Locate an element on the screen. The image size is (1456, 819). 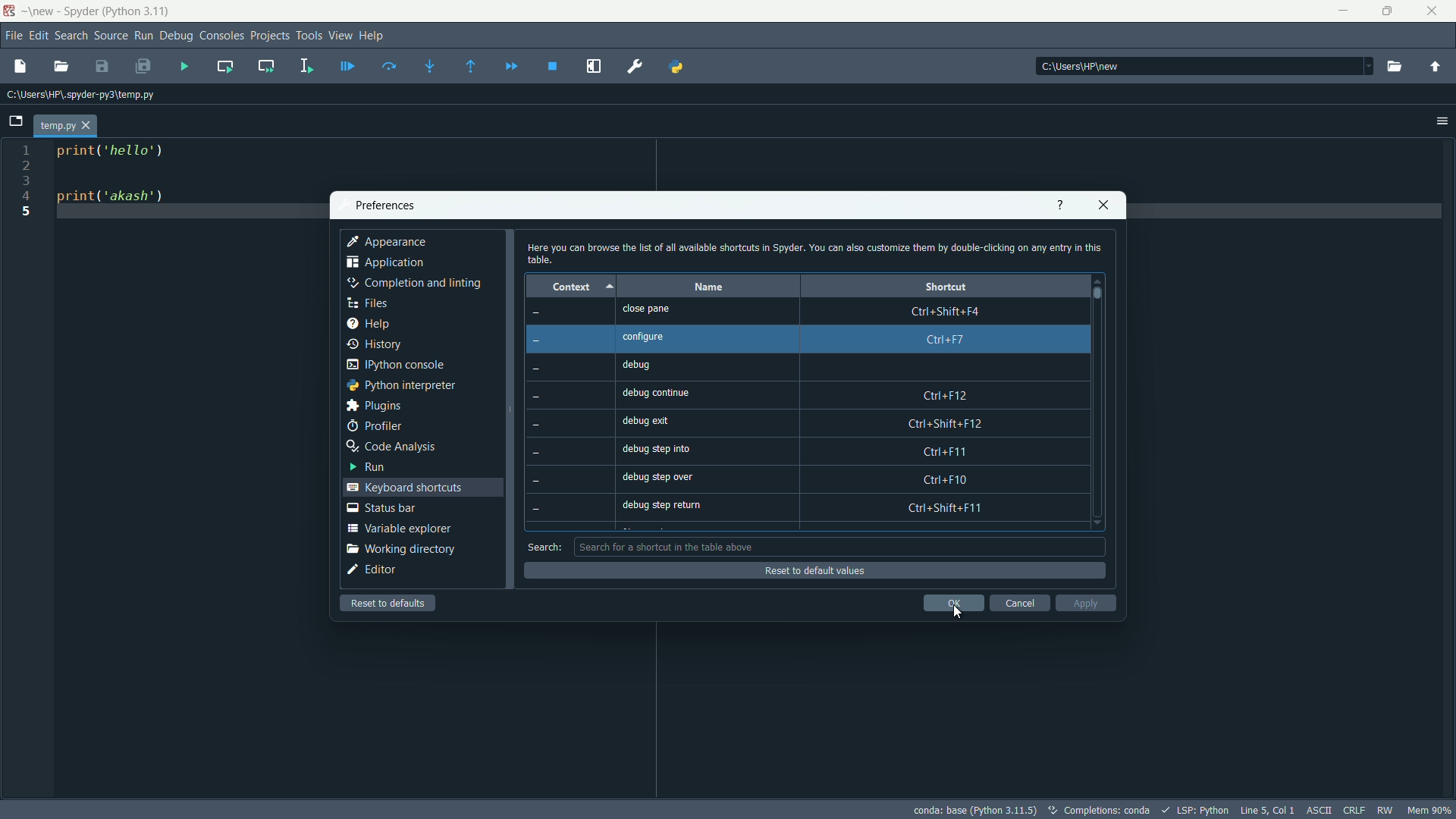
help is located at coordinates (369, 322).